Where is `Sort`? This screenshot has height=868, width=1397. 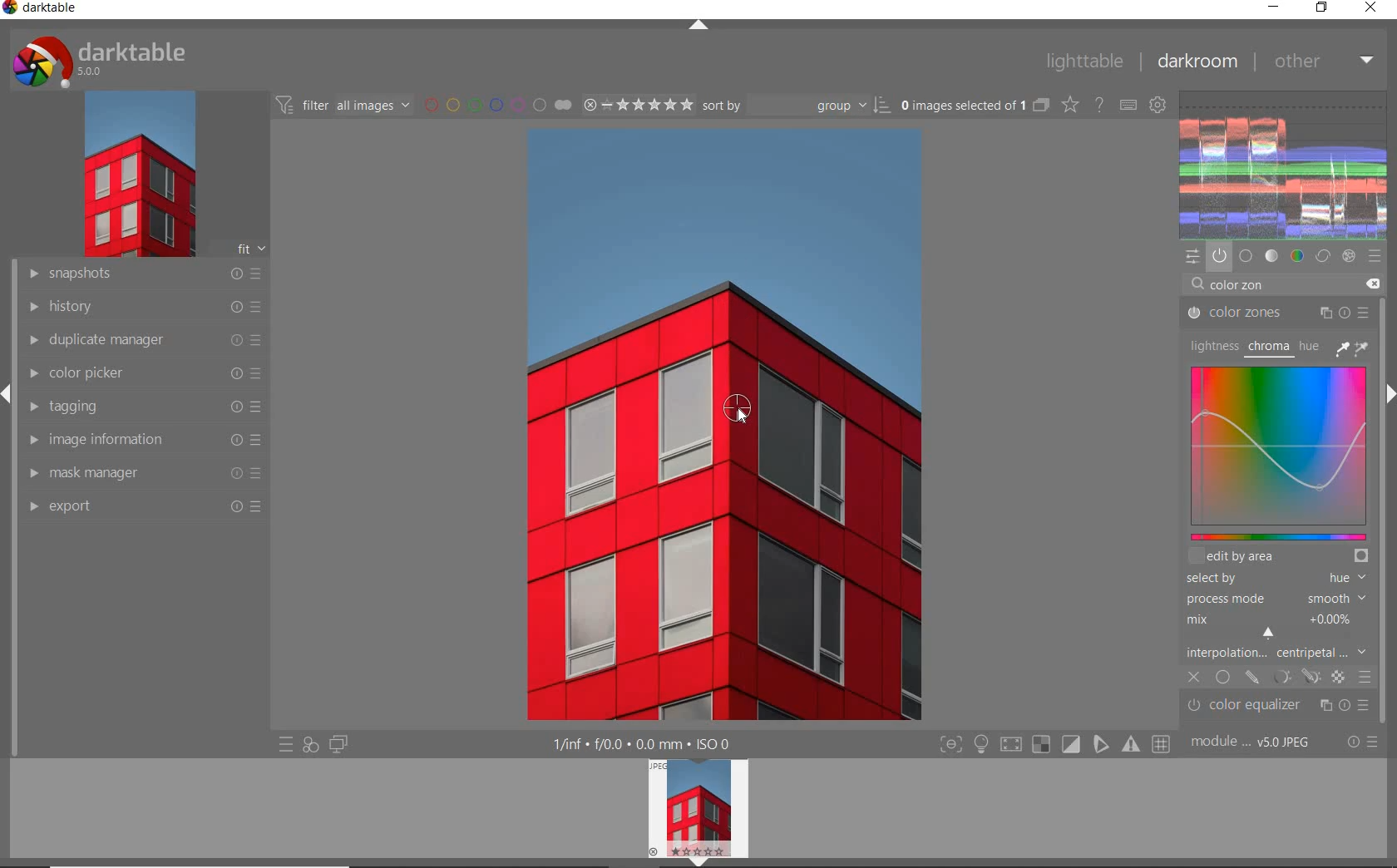 Sort is located at coordinates (797, 106).